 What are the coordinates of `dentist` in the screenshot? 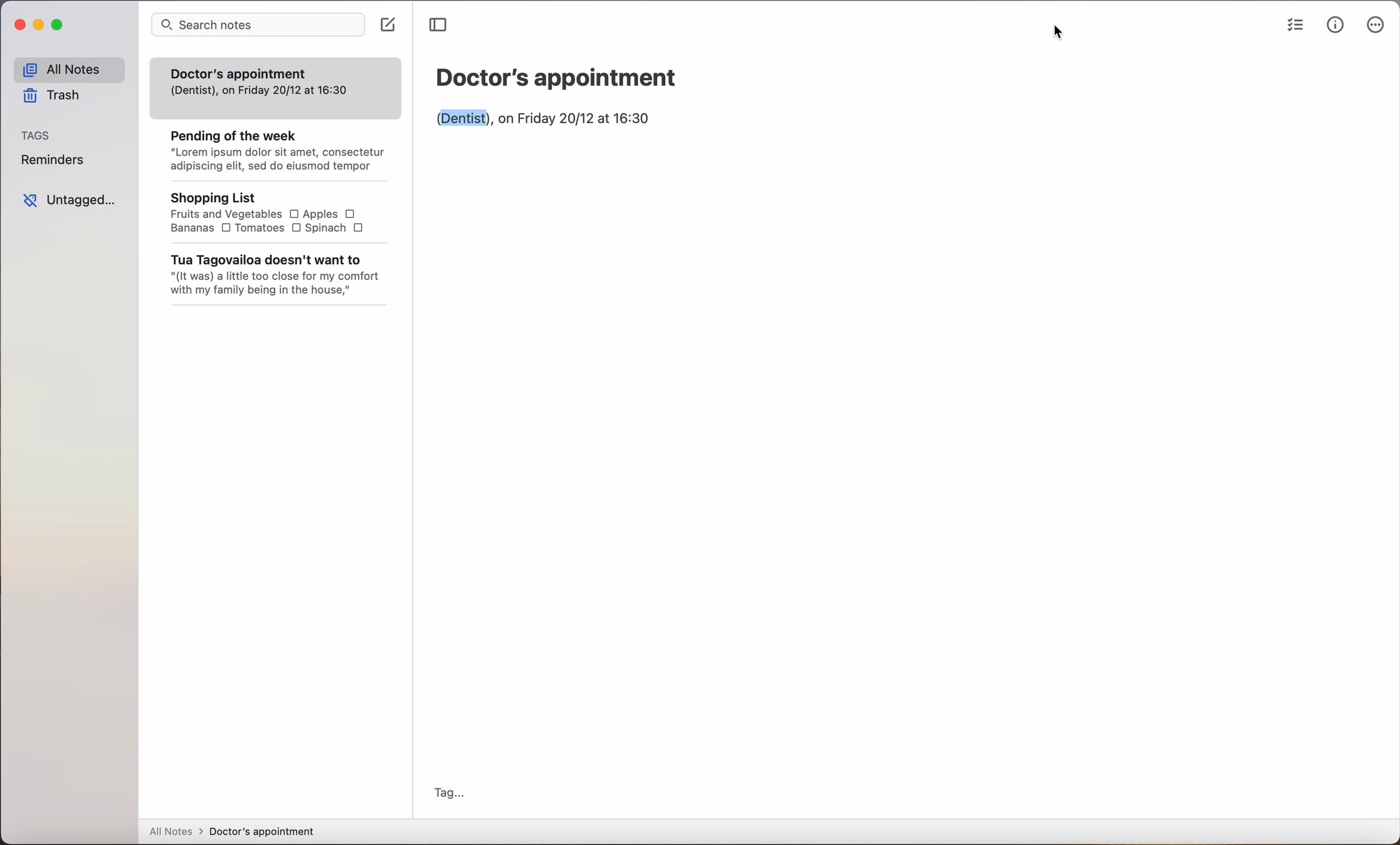 It's located at (463, 118).